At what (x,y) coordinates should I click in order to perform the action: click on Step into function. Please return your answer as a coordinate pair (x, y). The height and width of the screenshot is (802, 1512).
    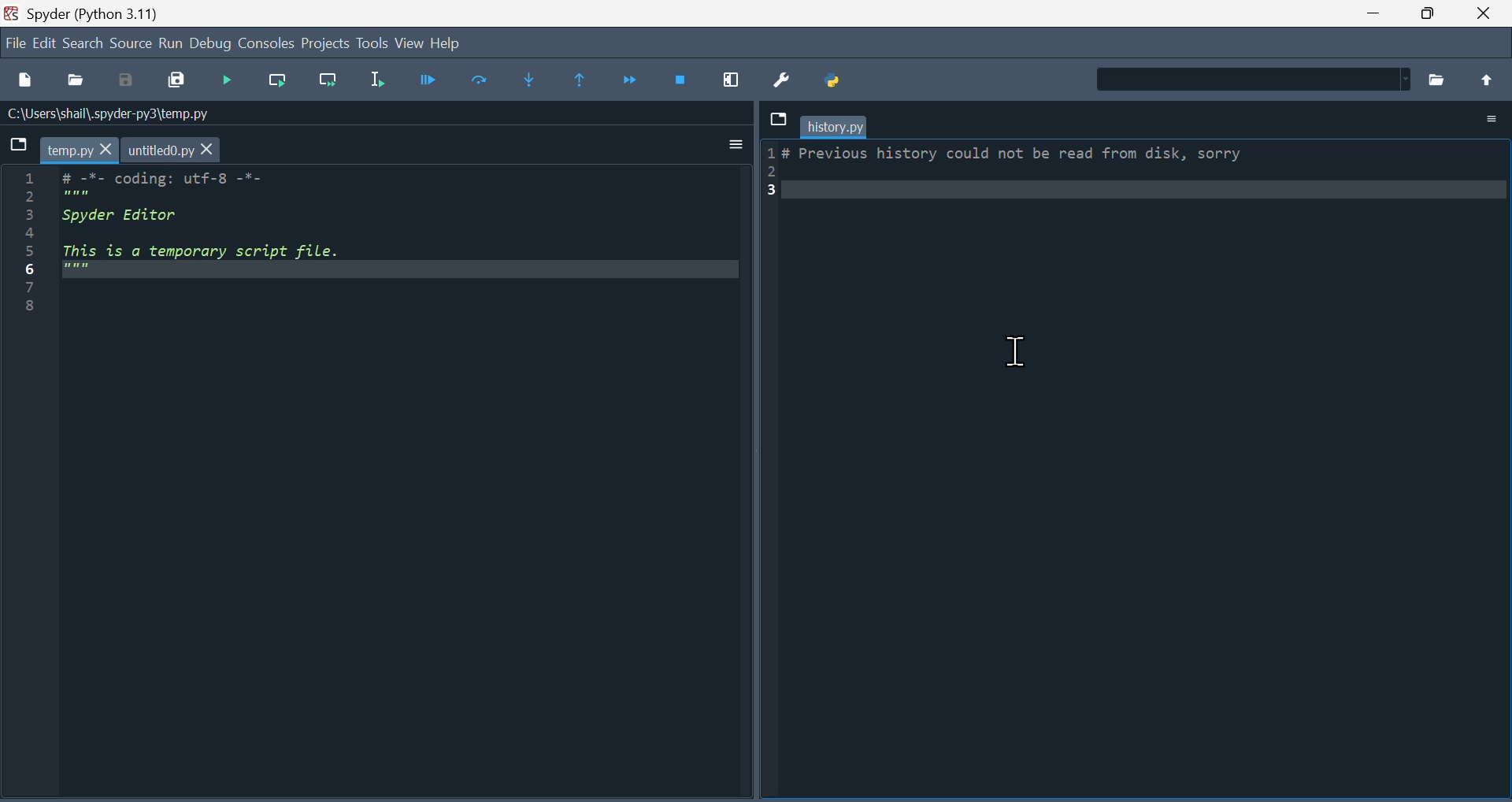
    Looking at the image, I should click on (534, 80).